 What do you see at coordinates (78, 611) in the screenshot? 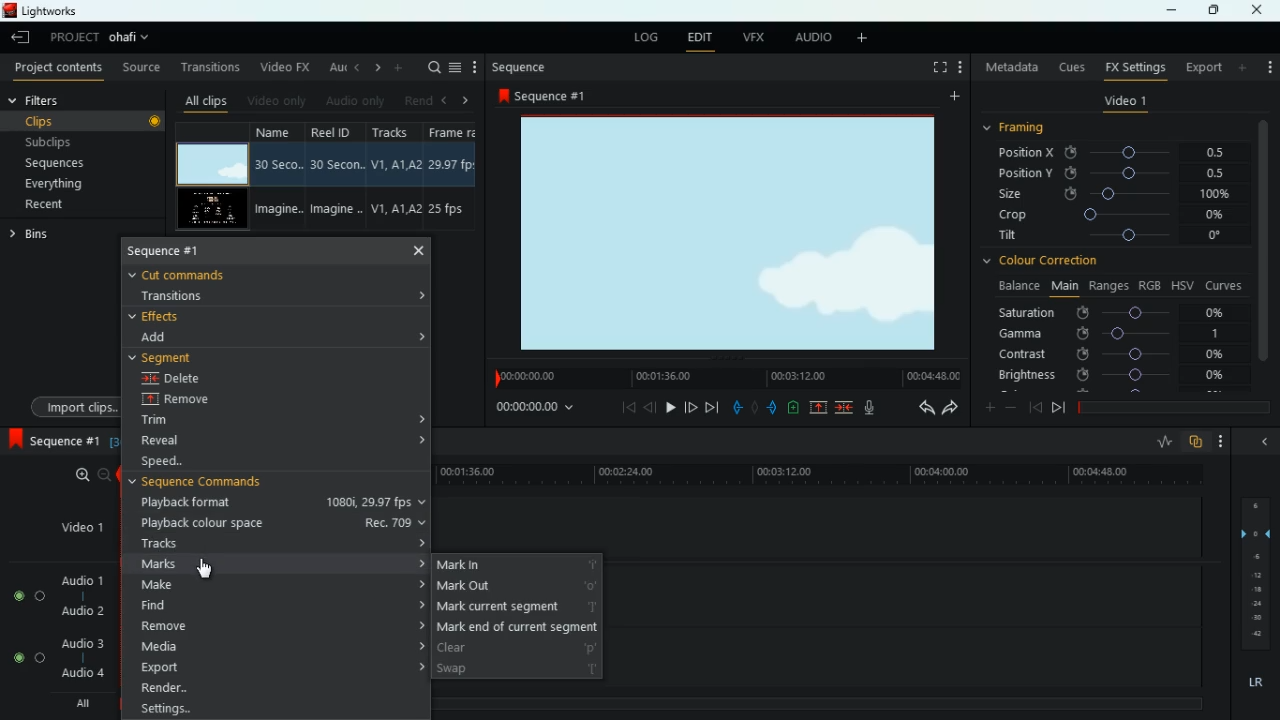
I see `audio 2` at bounding box center [78, 611].